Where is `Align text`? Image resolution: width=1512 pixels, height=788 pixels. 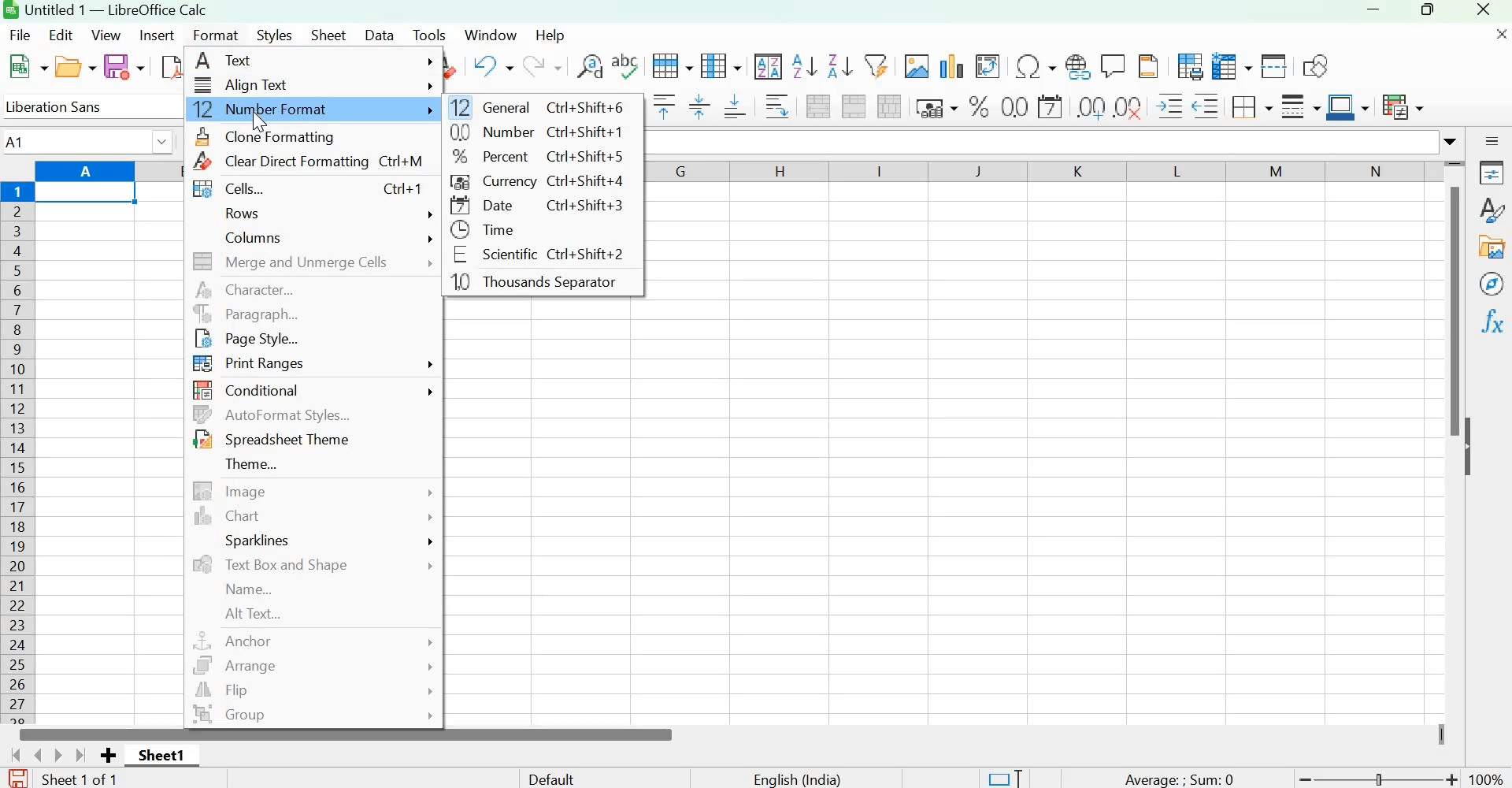
Align text is located at coordinates (240, 84).